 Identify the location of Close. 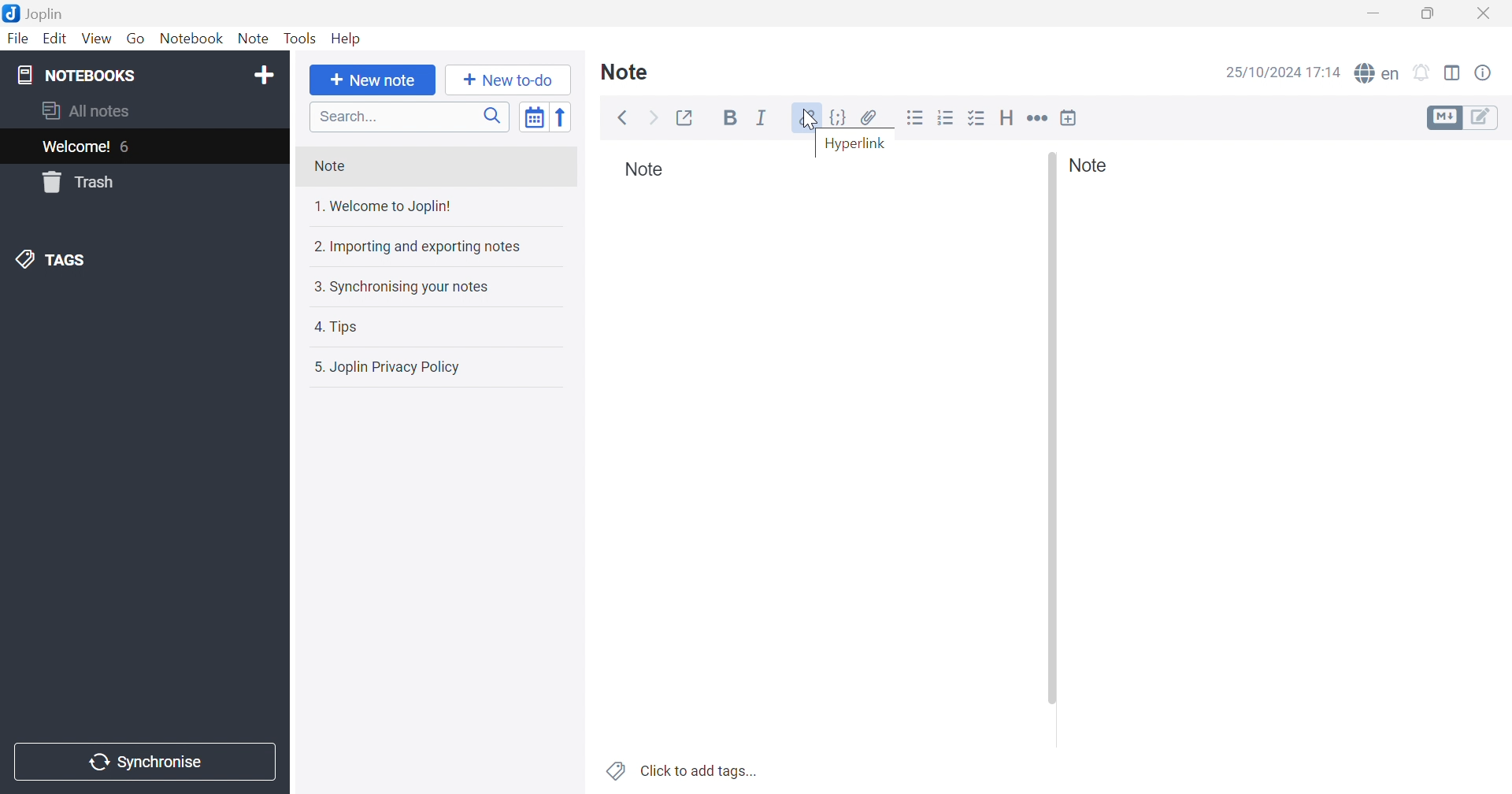
(1484, 13).